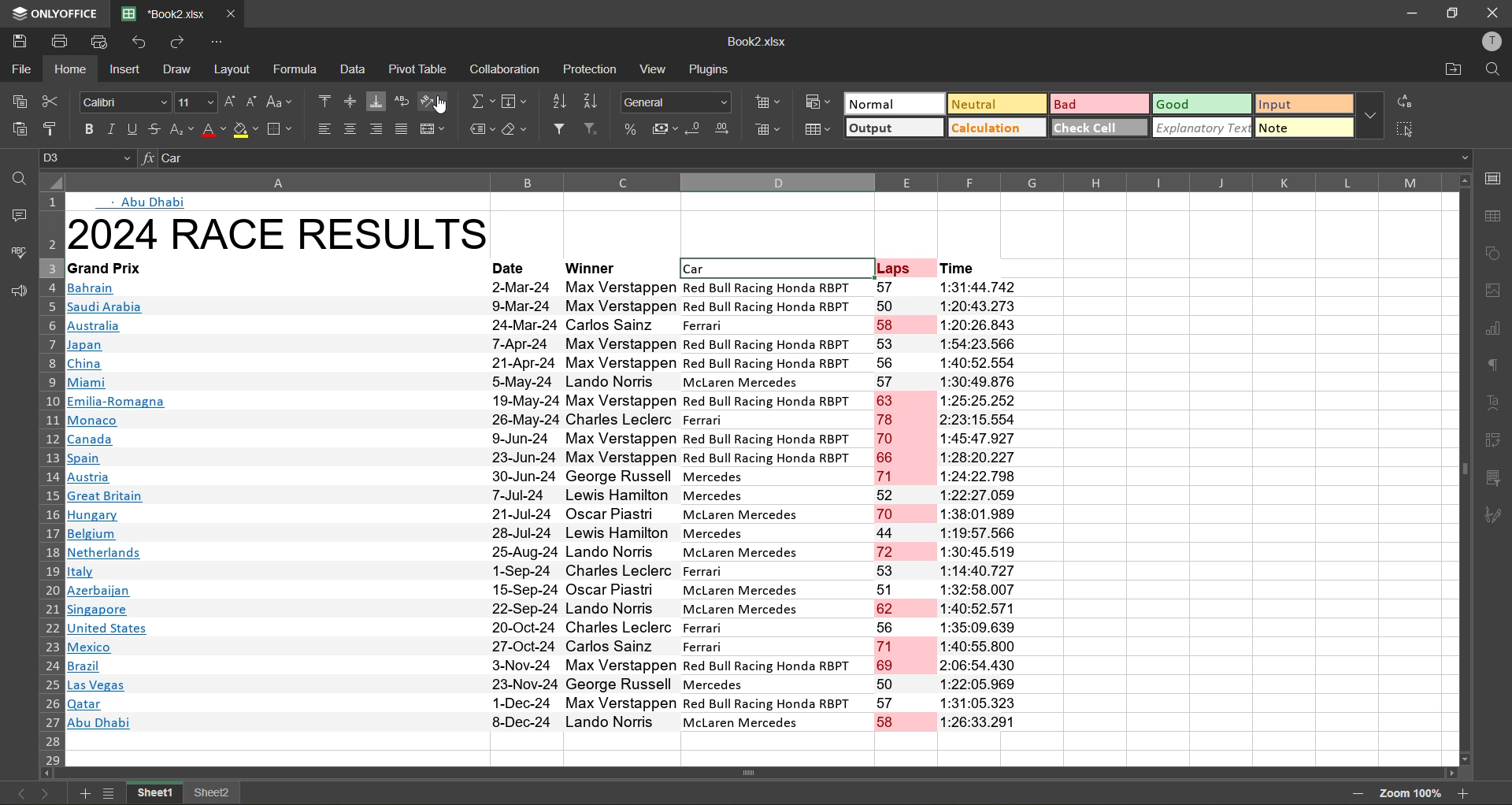  I want to click on draw, so click(180, 72).